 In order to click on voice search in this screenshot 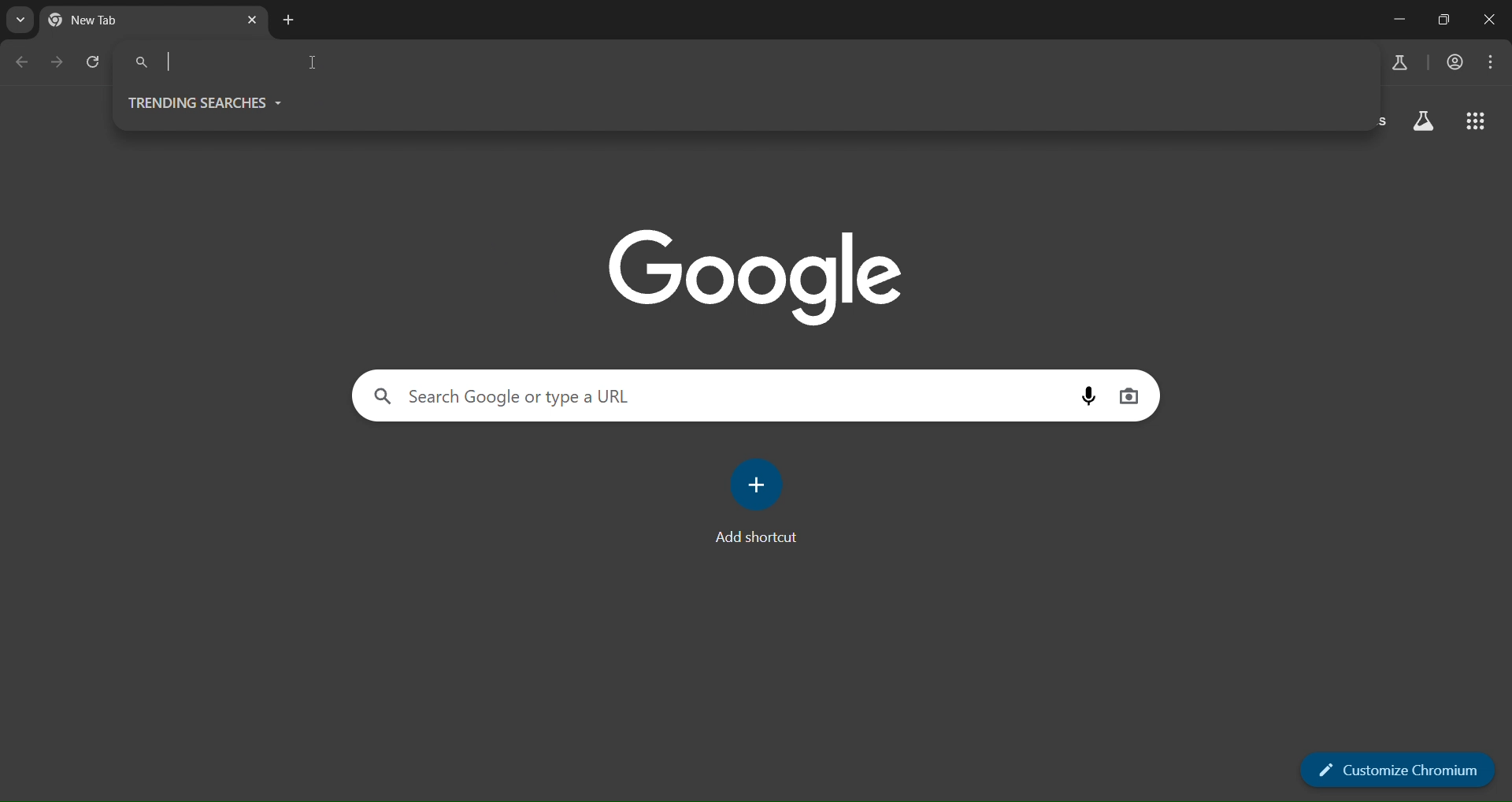, I will do `click(1131, 398)`.